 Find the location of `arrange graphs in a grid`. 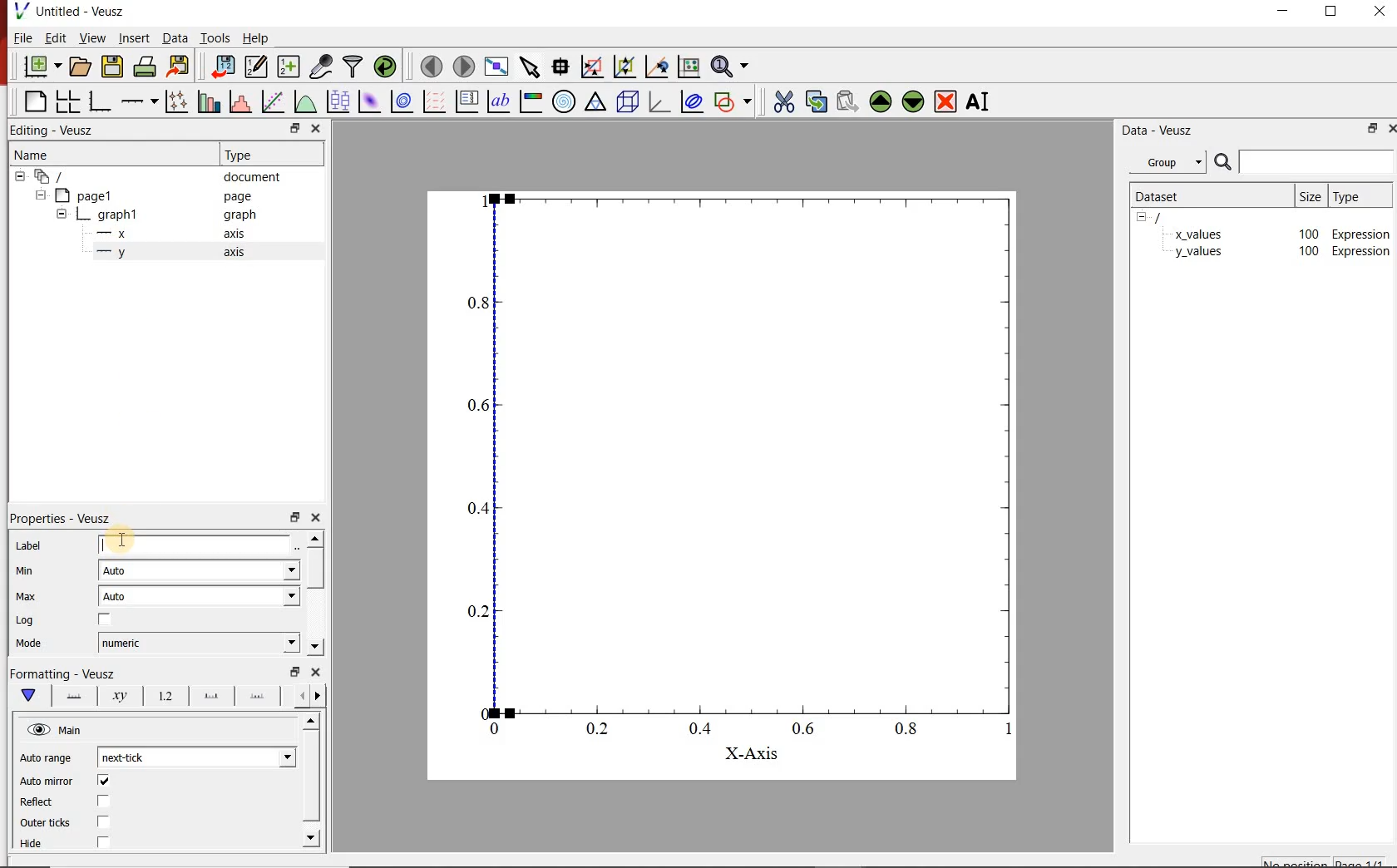

arrange graphs in a grid is located at coordinates (67, 102).